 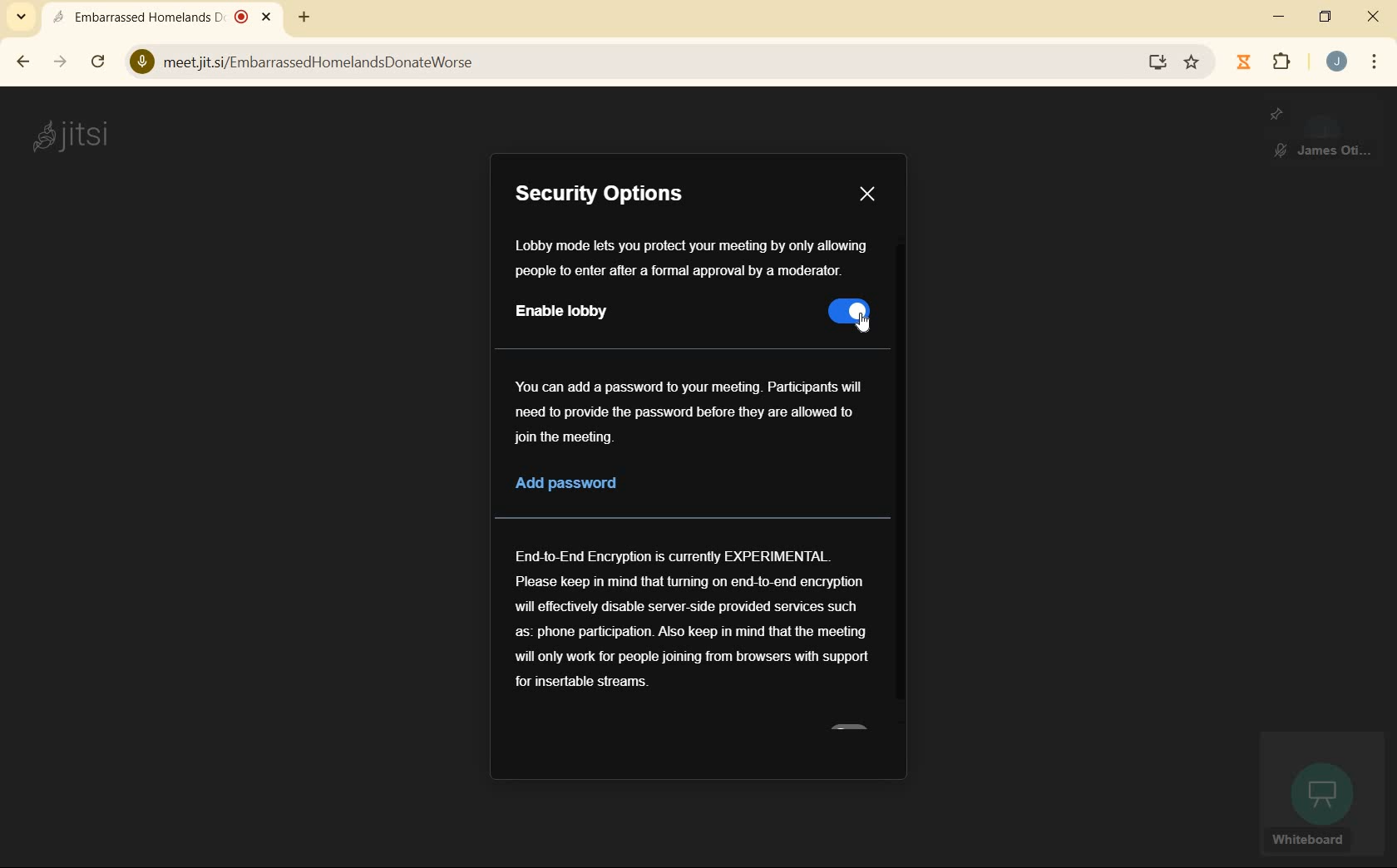 I want to click on menu, so click(x=1373, y=65).